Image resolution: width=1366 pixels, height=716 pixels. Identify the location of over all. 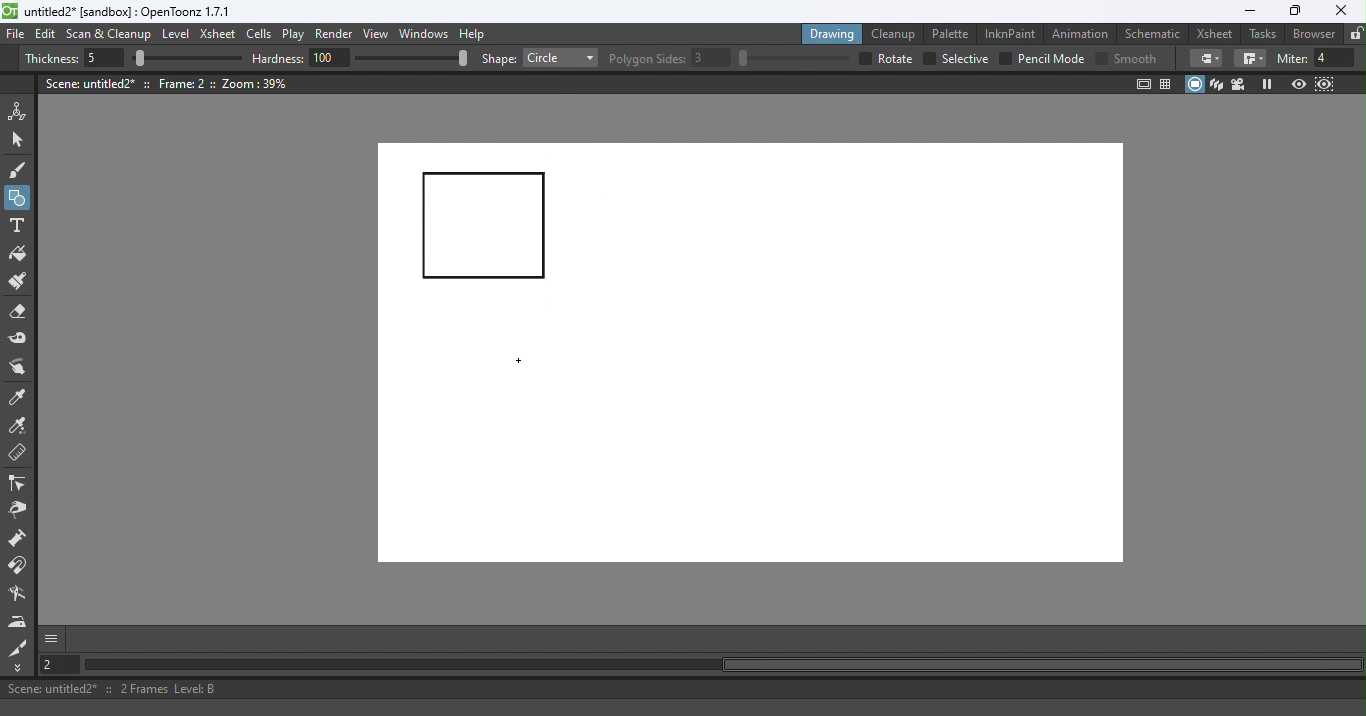
(897, 58).